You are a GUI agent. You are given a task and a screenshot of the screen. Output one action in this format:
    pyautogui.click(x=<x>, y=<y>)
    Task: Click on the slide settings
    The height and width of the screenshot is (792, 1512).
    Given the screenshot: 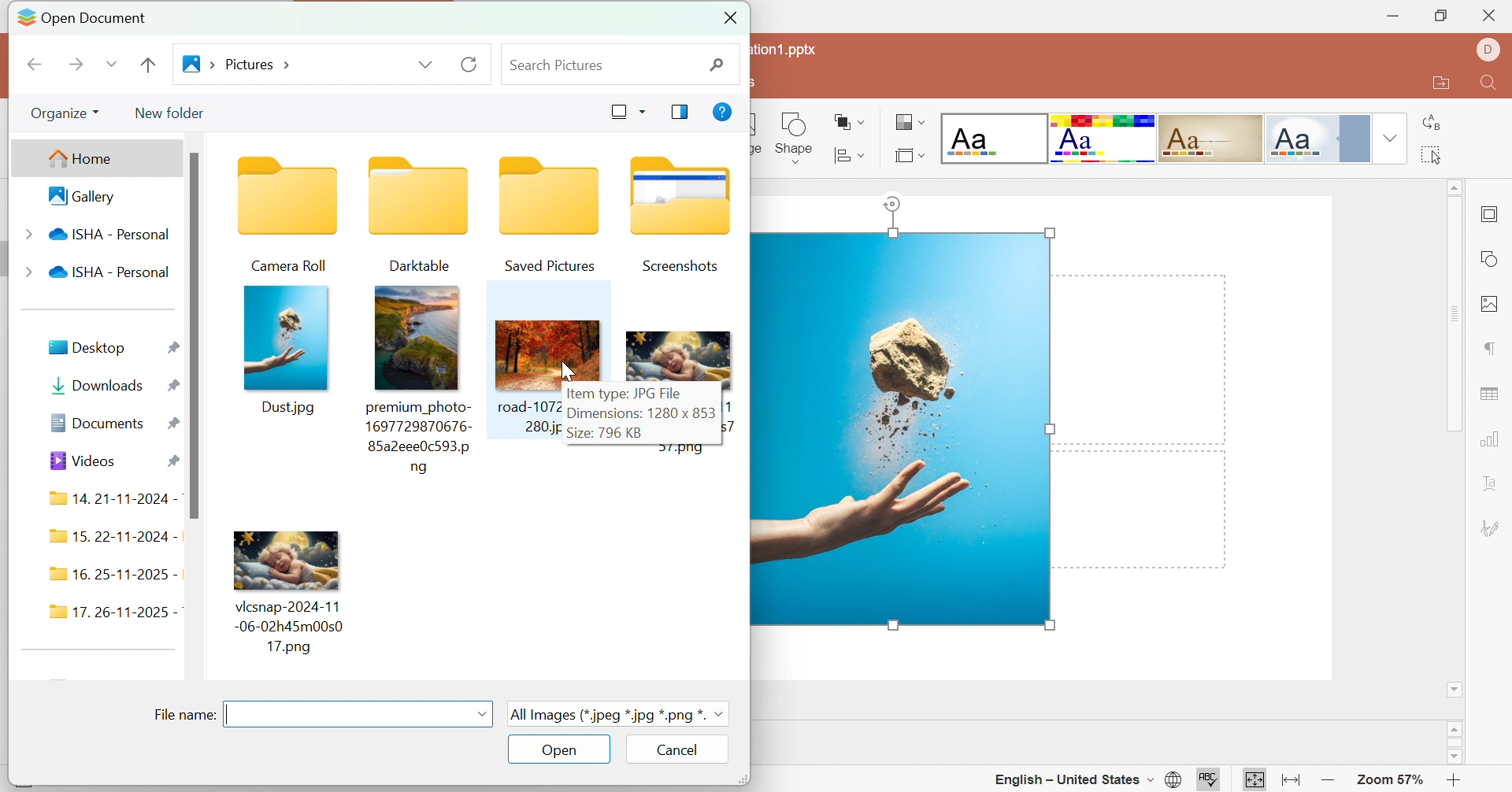 What is the action you would take?
    pyautogui.click(x=1494, y=214)
    